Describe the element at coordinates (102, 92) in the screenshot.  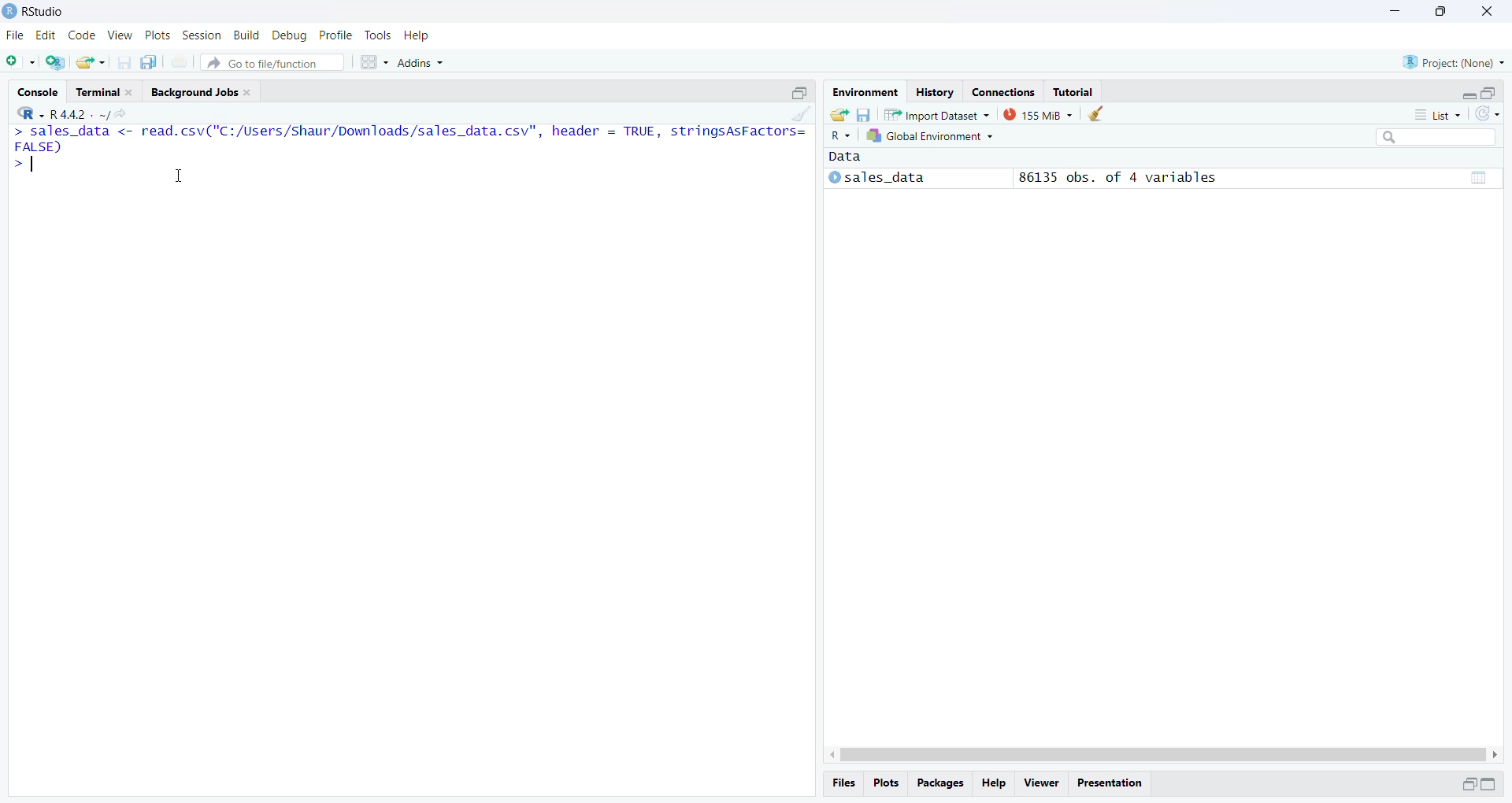
I see `Terminal` at that location.